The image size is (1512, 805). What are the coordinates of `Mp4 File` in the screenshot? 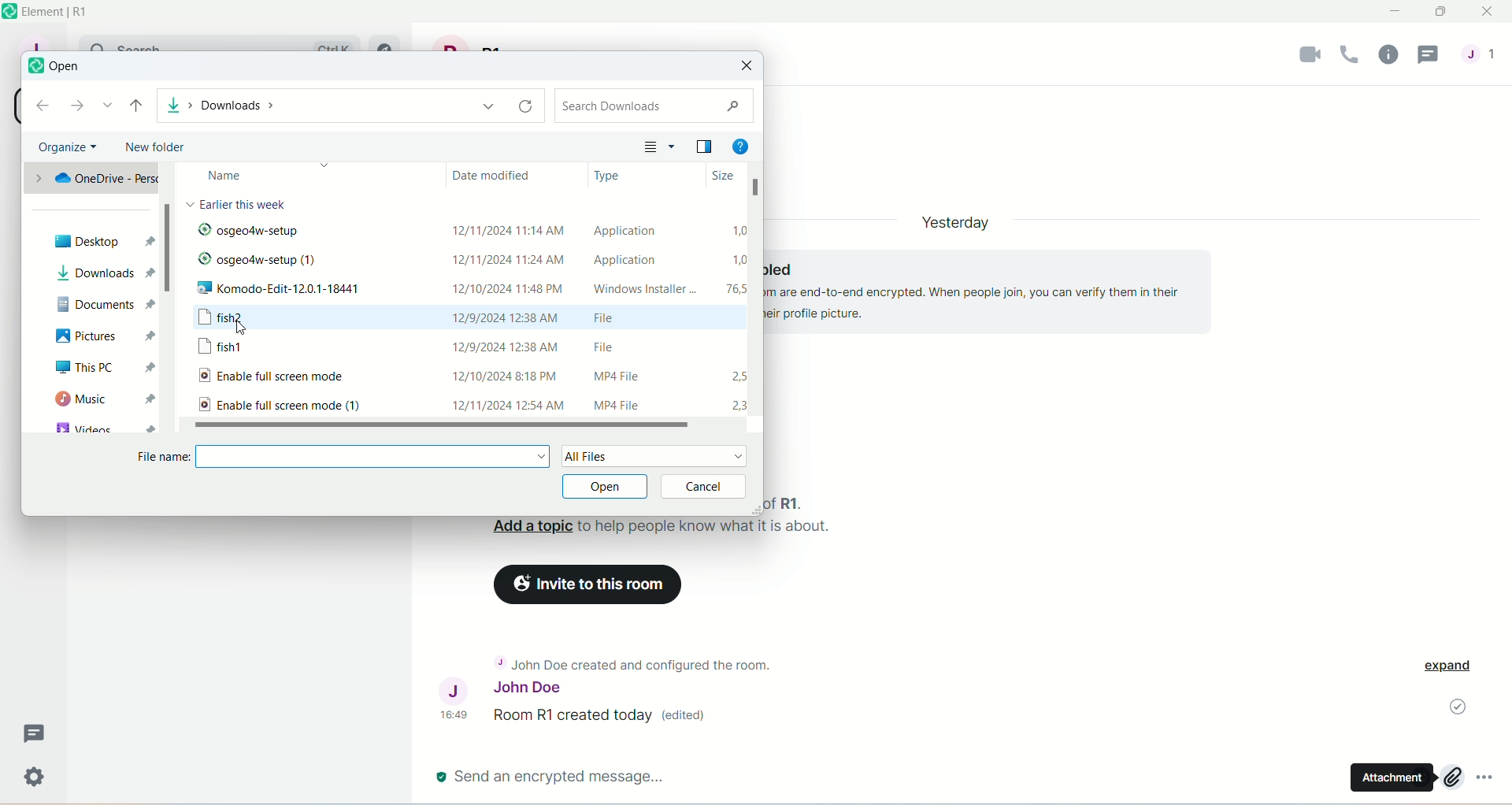 It's located at (610, 377).